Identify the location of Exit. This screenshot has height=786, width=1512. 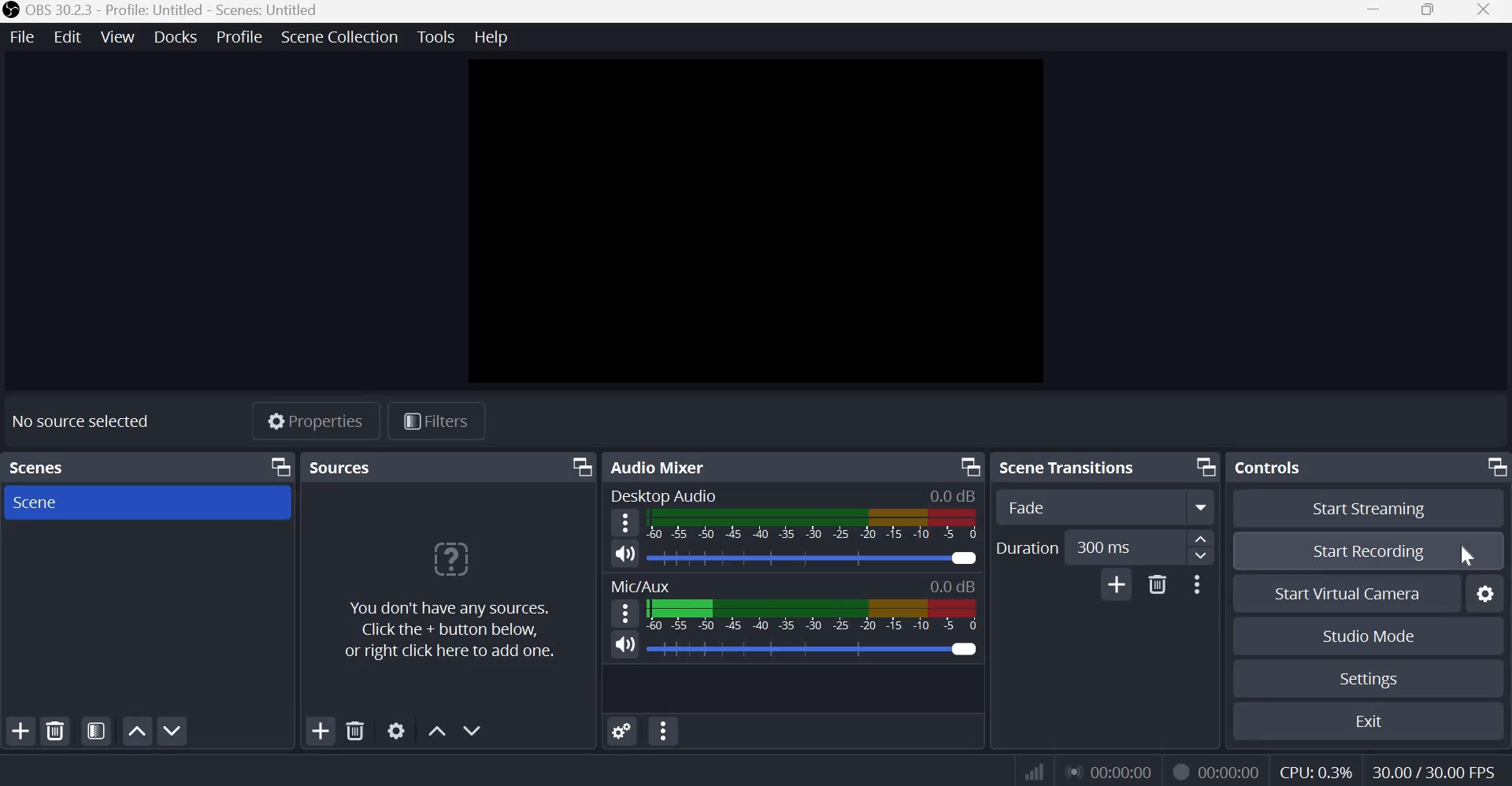
(1362, 721).